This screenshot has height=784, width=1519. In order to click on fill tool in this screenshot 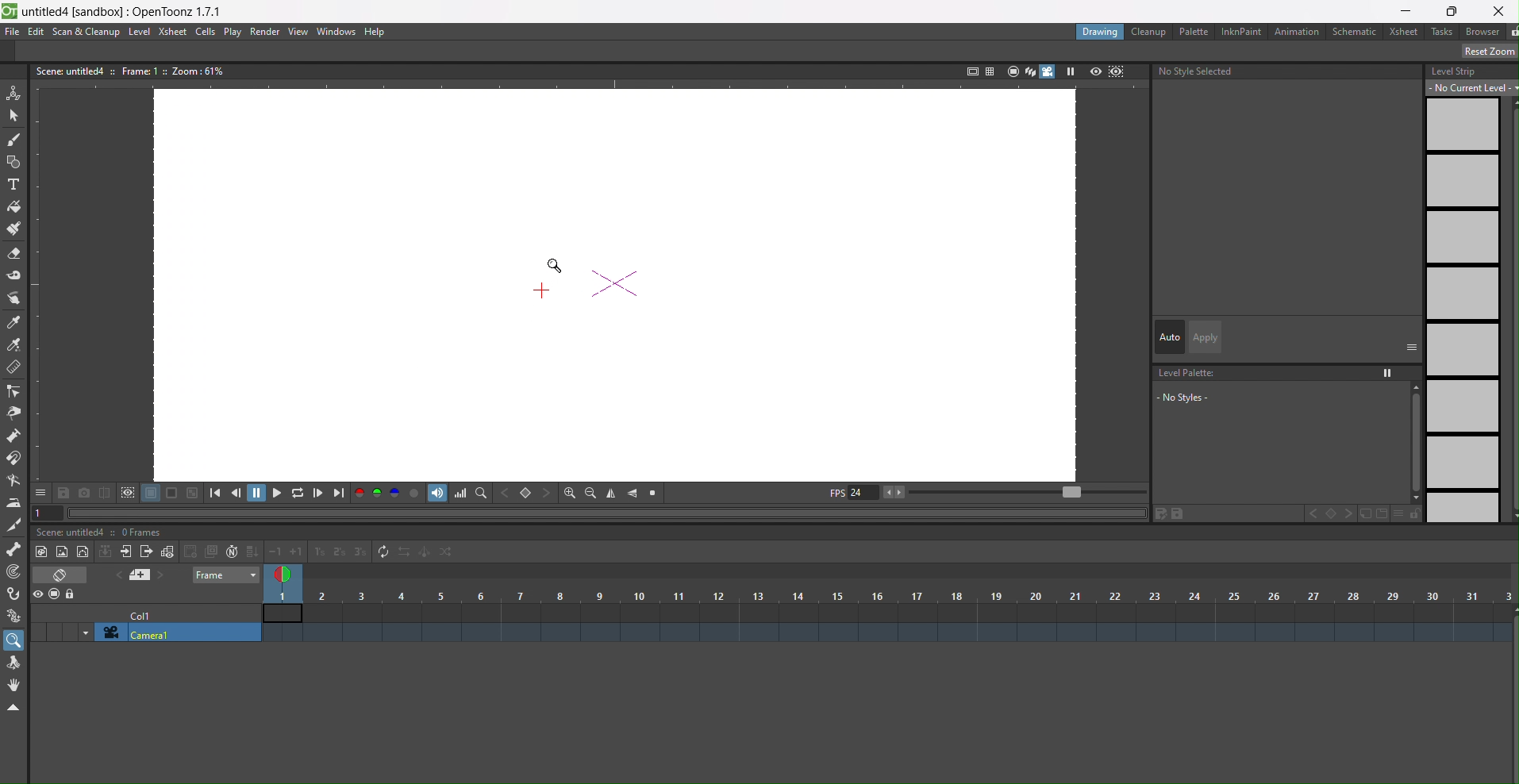, I will do `click(16, 204)`.